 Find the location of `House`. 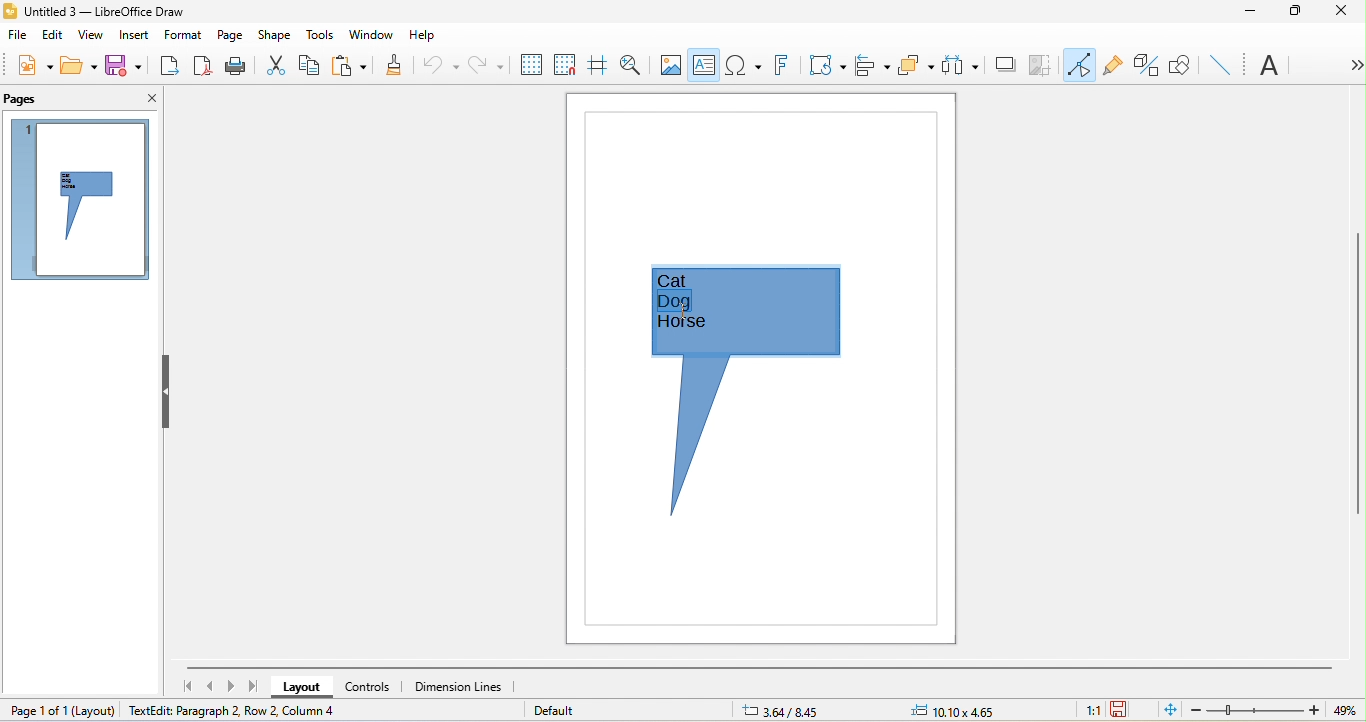

House is located at coordinates (682, 325).